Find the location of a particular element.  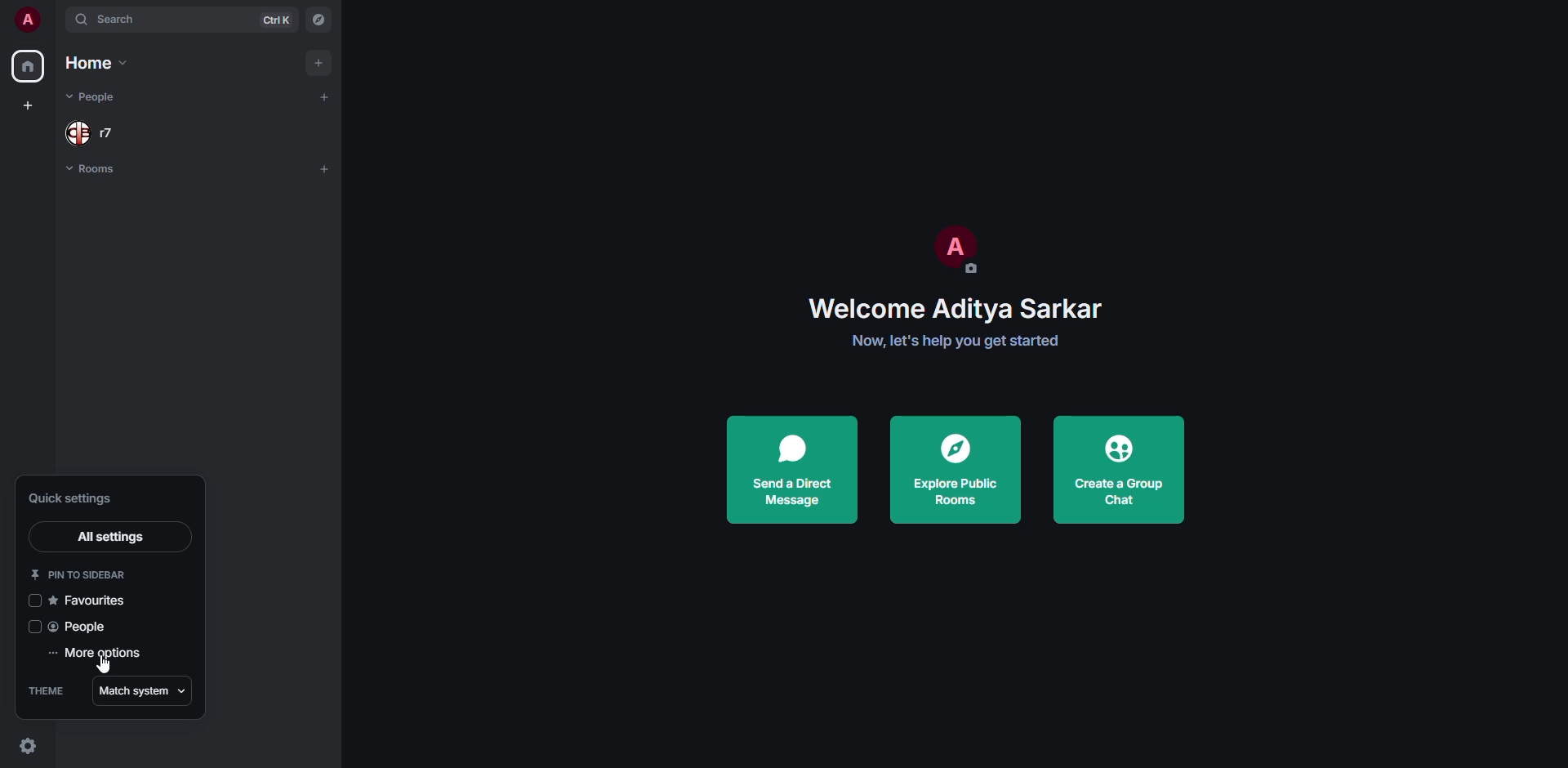

profile is located at coordinates (26, 19).